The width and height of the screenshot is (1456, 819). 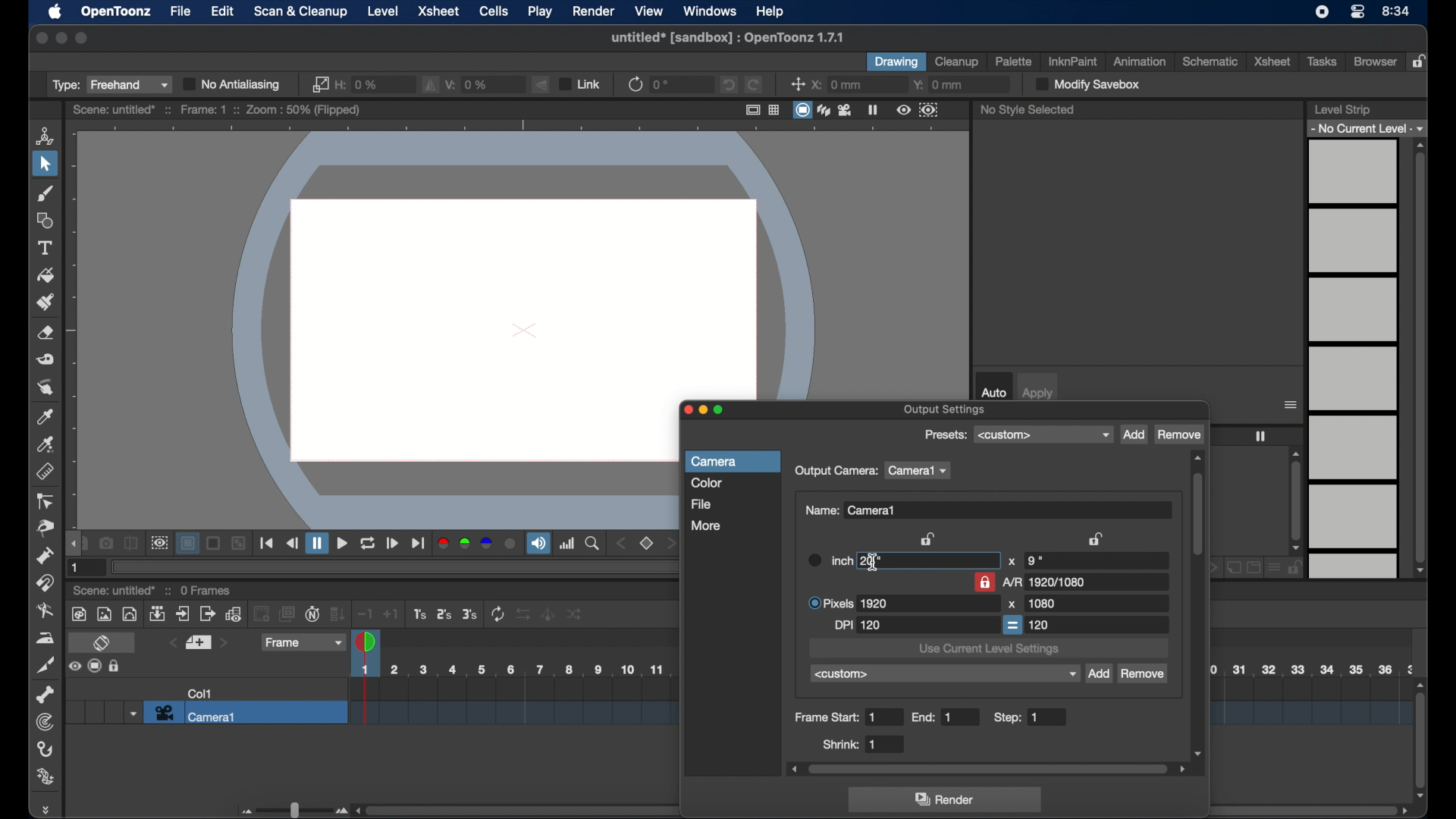 What do you see at coordinates (158, 614) in the screenshot?
I see `` at bounding box center [158, 614].